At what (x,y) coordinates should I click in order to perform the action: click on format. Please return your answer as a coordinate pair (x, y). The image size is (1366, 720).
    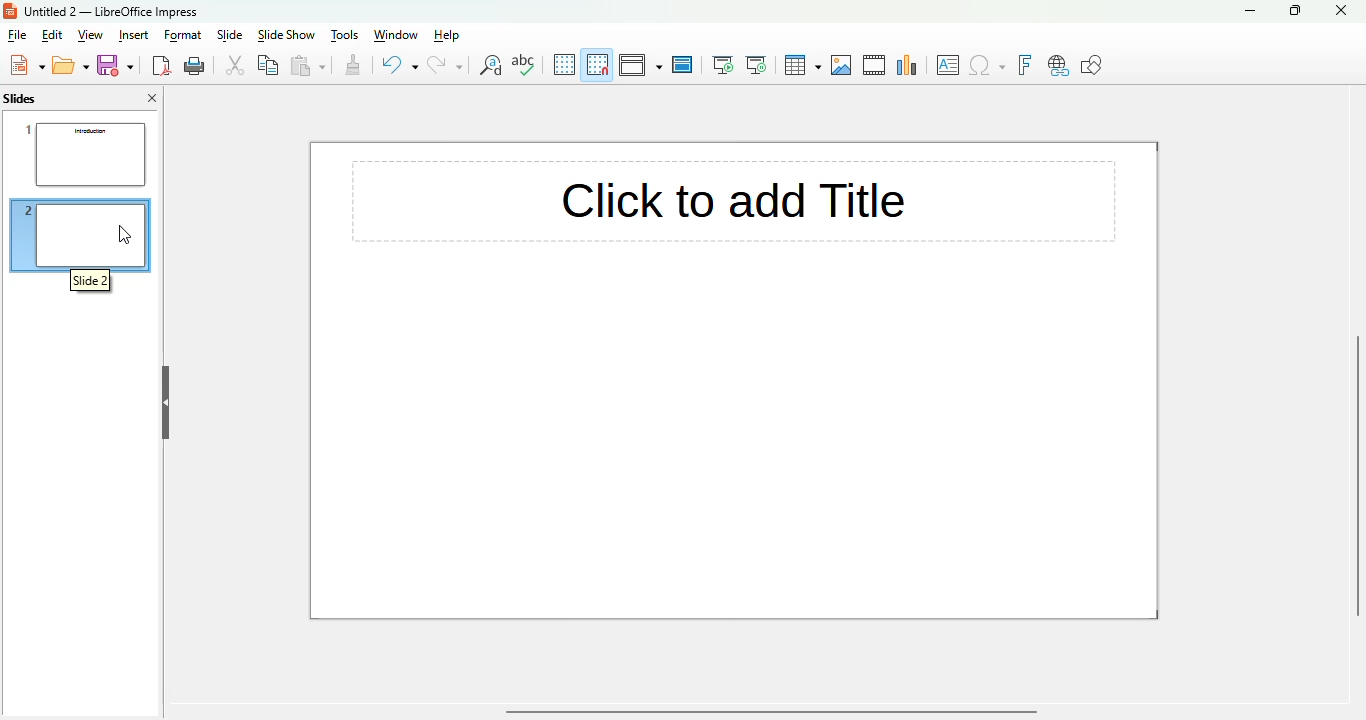
    Looking at the image, I should click on (184, 35).